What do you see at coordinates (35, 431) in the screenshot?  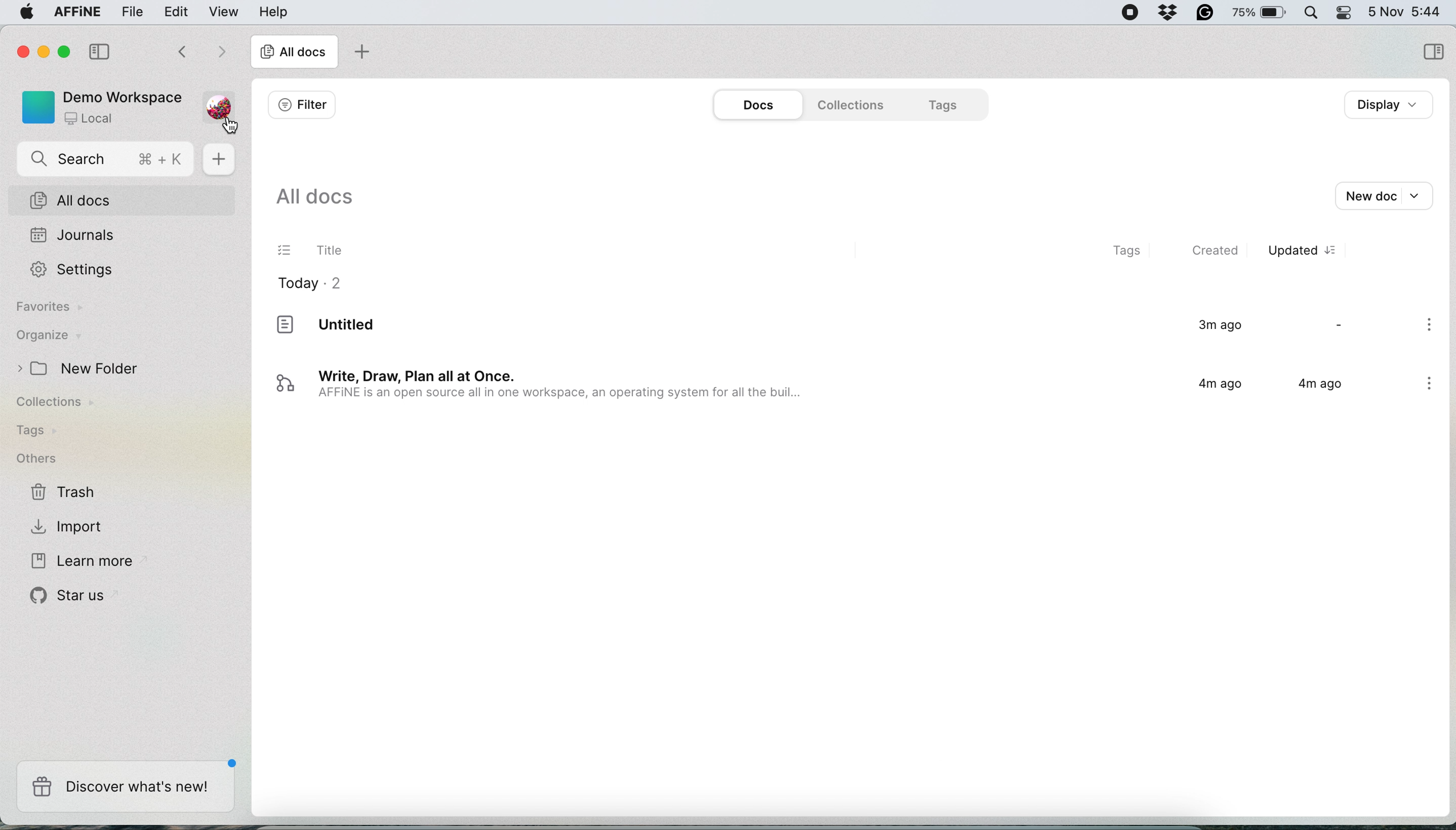 I see `tags` at bounding box center [35, 431].